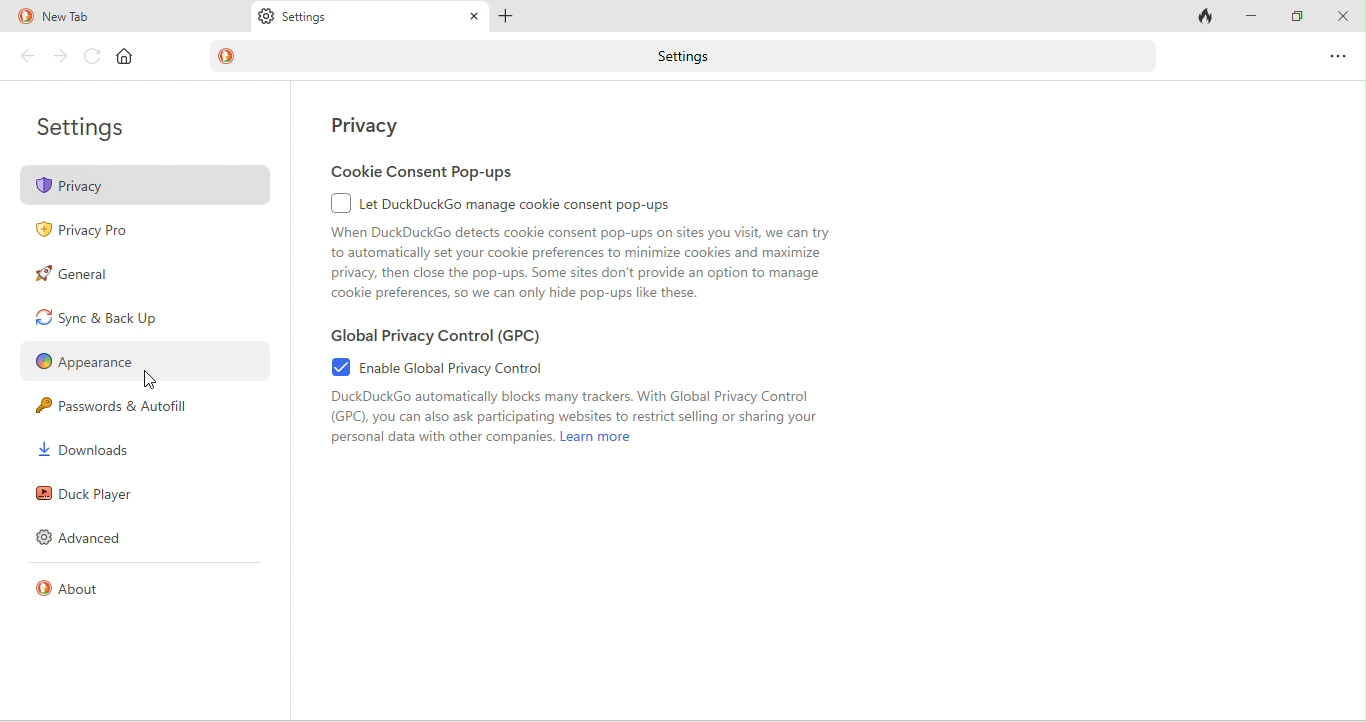 The height and width of the screenshot is (722, 1366). I want to click on cookie consent pop ups, so click(441, 170).